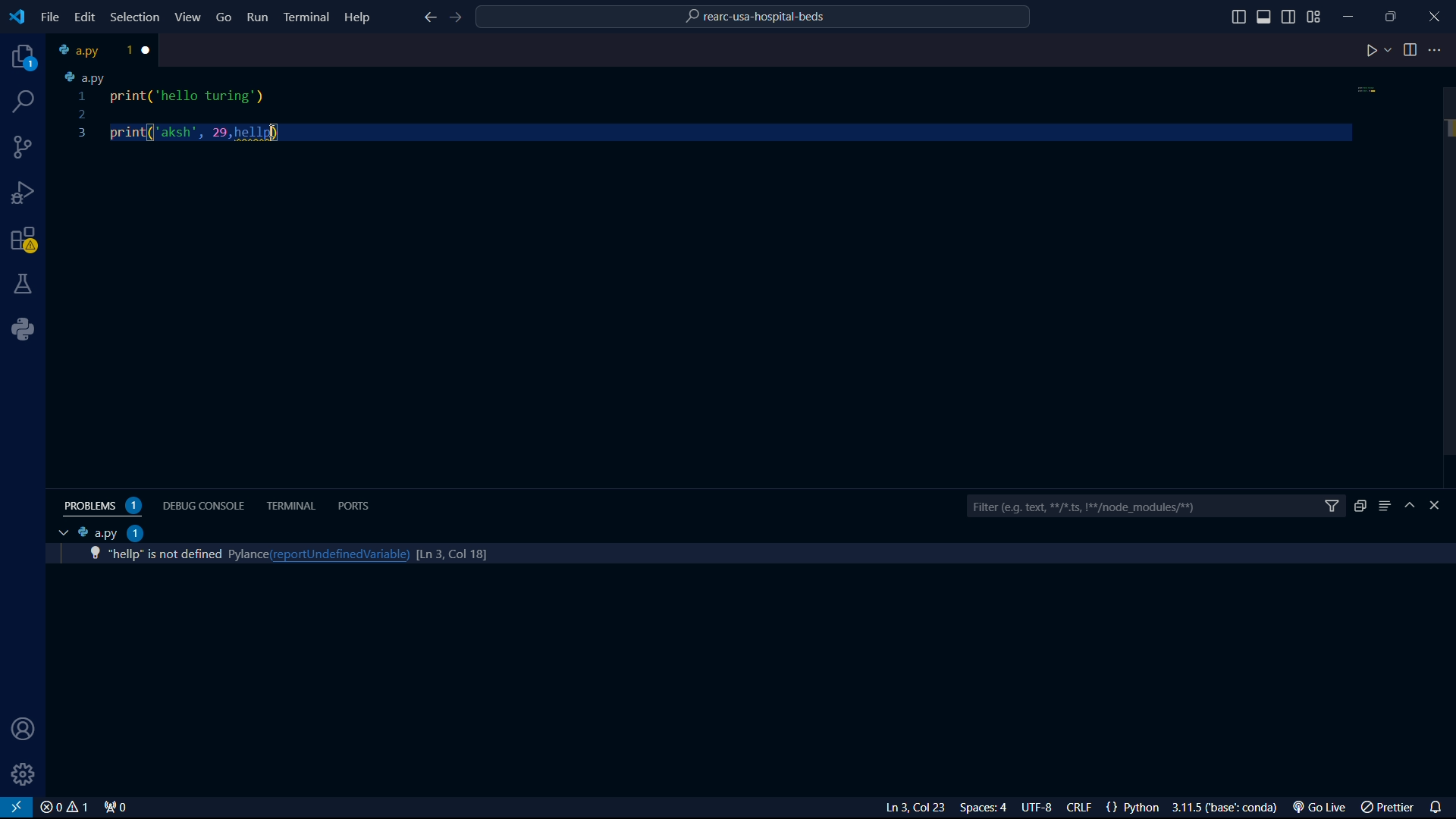  Describe the element at coordinates (111, 532) in the screenshot. I see `a.py 2` at that location.